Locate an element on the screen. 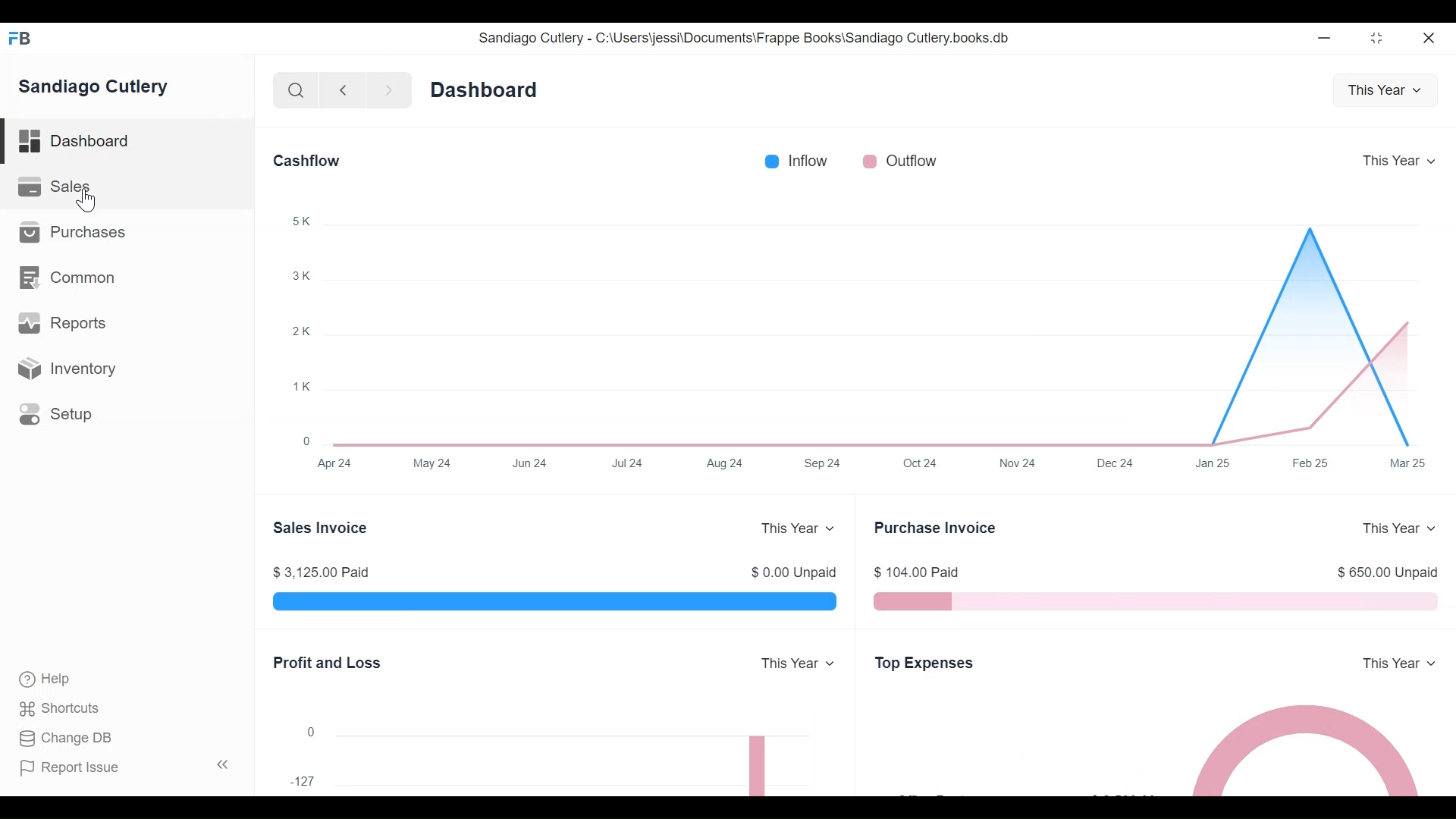 The height and width of the screenshot is (819, 1456). This year is located at coordinates (799, 664).